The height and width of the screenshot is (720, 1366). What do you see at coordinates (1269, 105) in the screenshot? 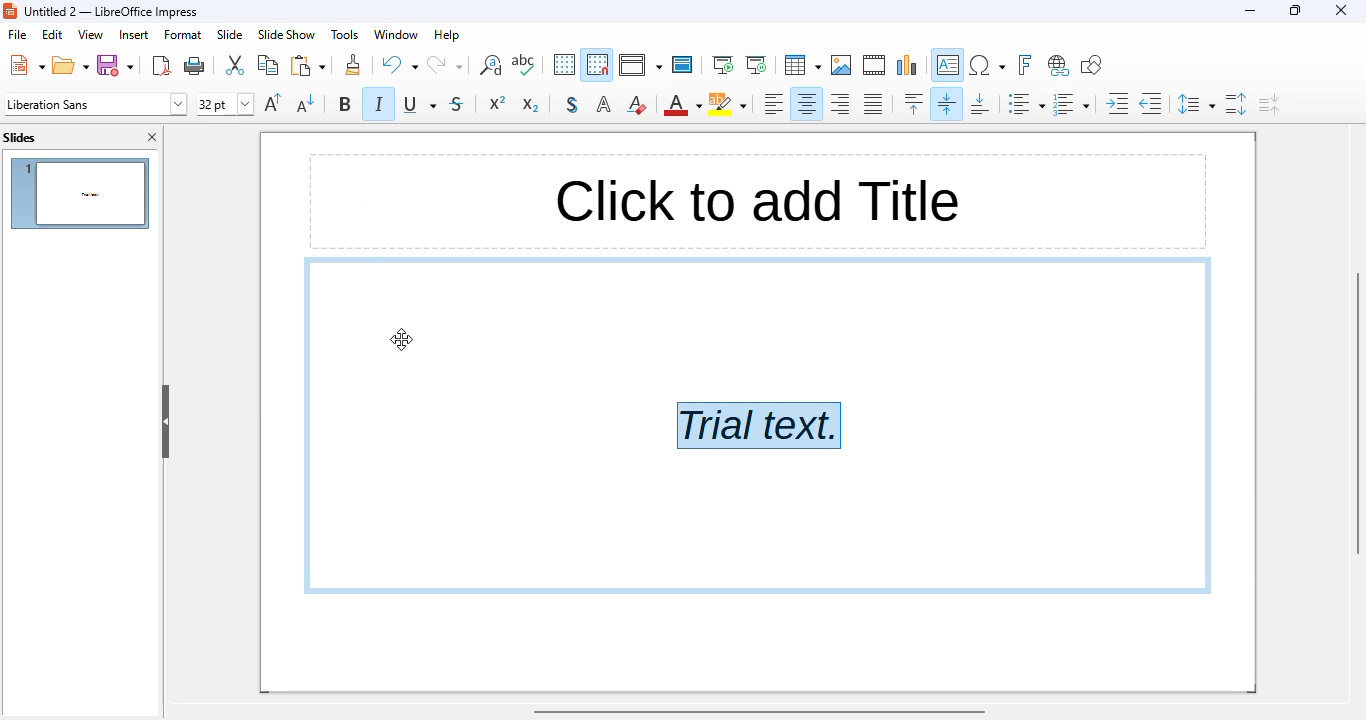
I see `decrease paragraph spacing` at bounding box center [1269, 105].